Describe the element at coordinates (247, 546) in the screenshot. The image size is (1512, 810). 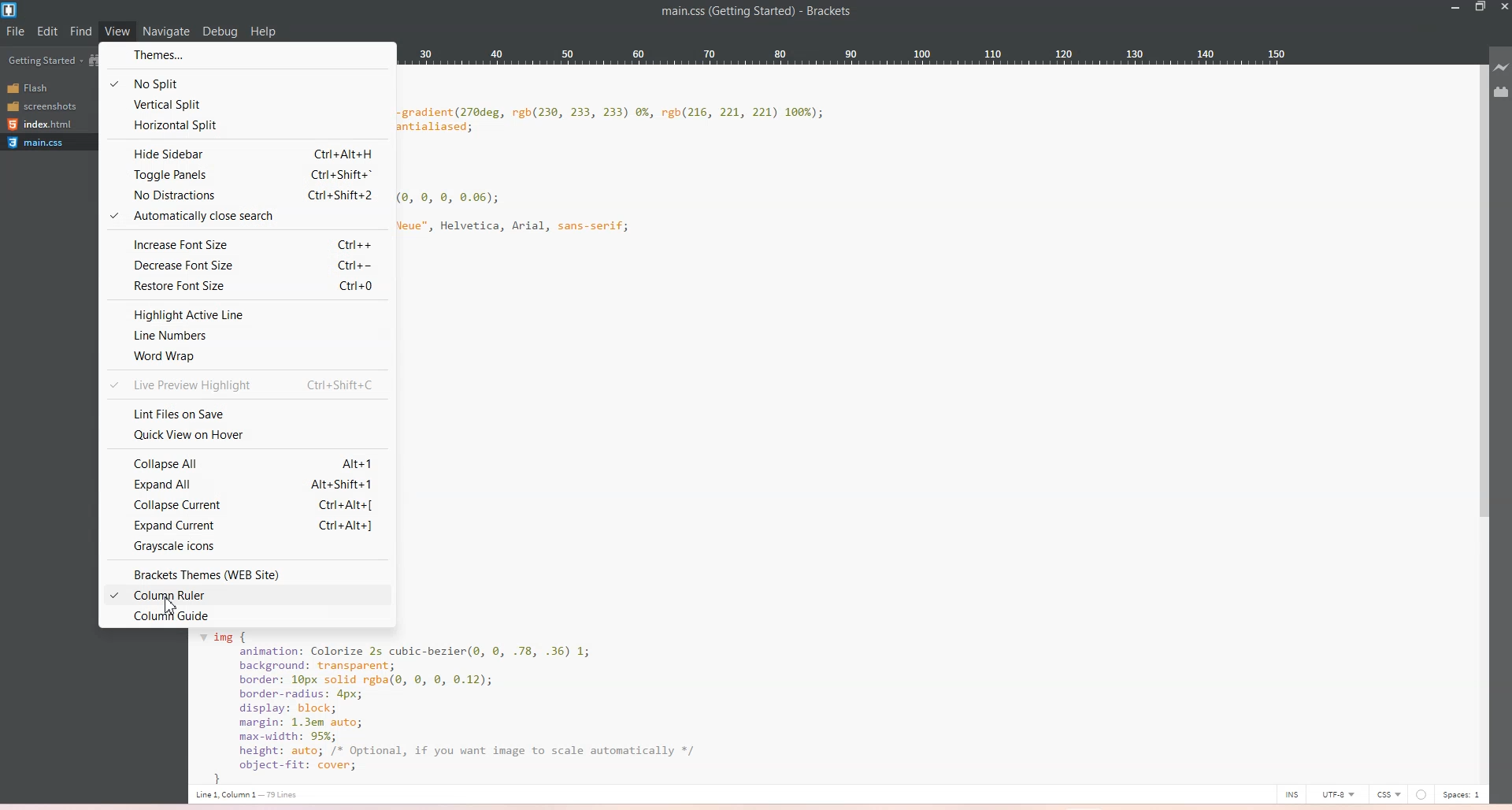
I see `Grayscale icons` at that location.